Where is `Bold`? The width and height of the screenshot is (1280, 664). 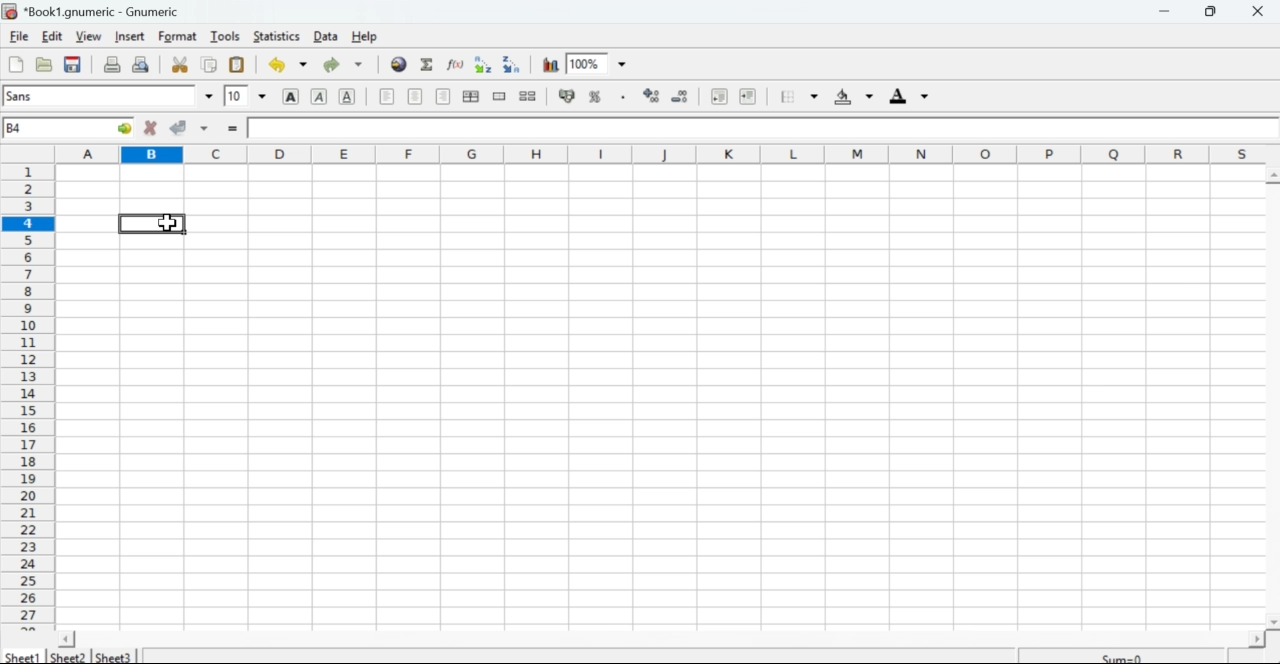 Bold is located at coordinates (294, 96).